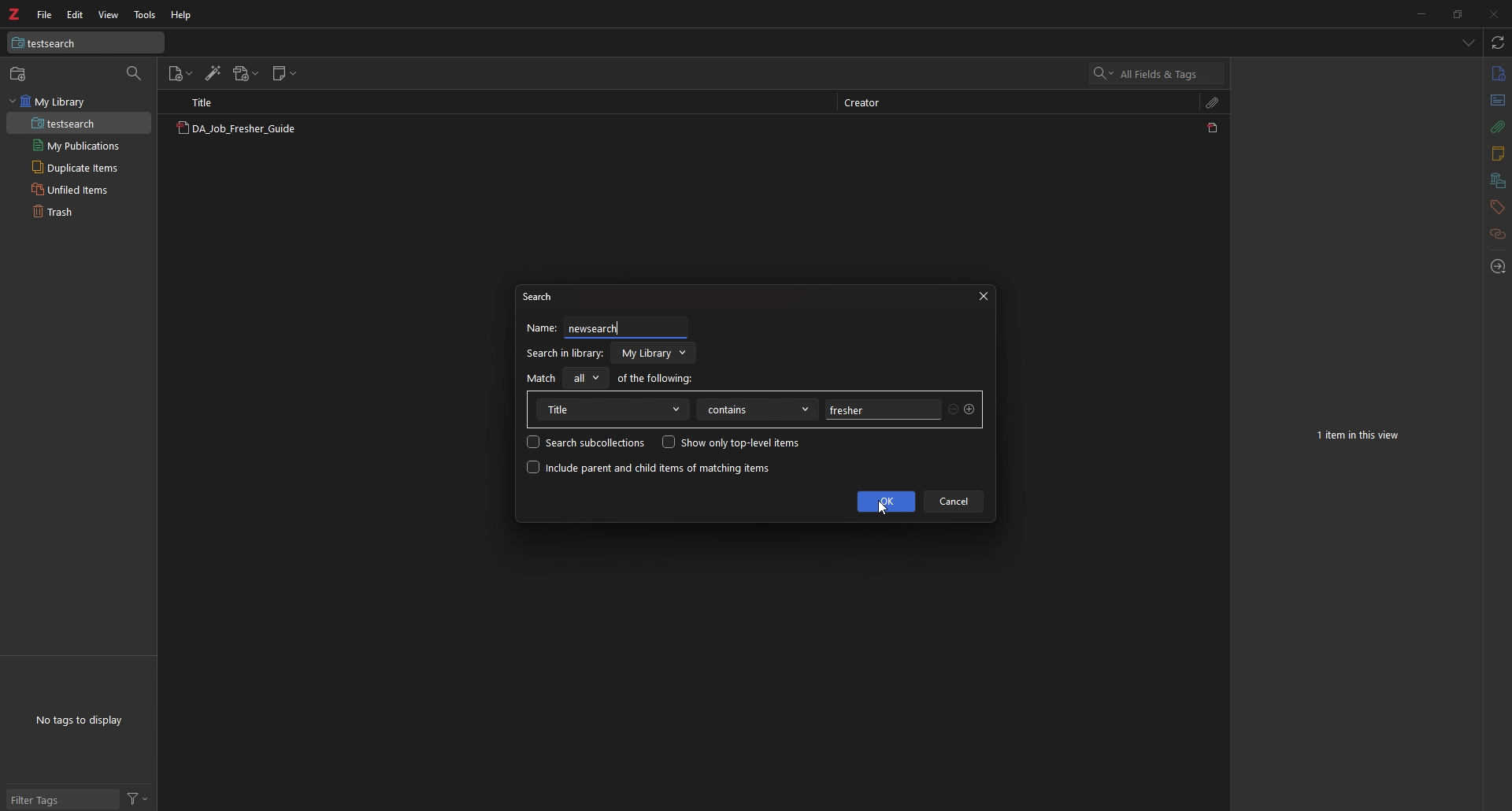 The image size is (1512, 811). What do you see at coordinates (1499, 235) in the screenshot?
I see `related` at bounding box center [1499, 235].